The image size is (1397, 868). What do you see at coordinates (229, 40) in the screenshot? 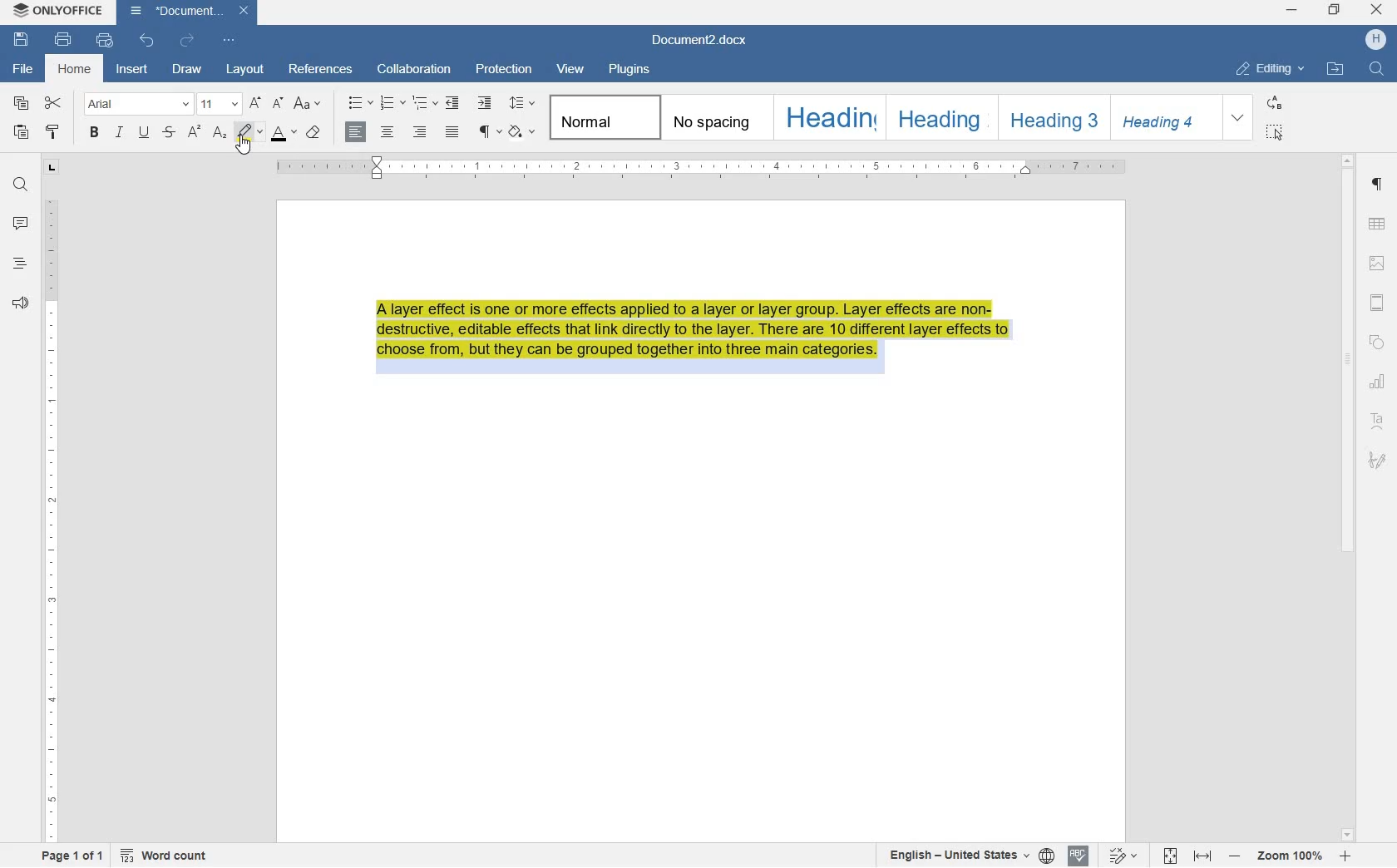
I see `CUSTOMIZE QUICK ACCESS TOOLBAR` at bounding box center [229, 40].